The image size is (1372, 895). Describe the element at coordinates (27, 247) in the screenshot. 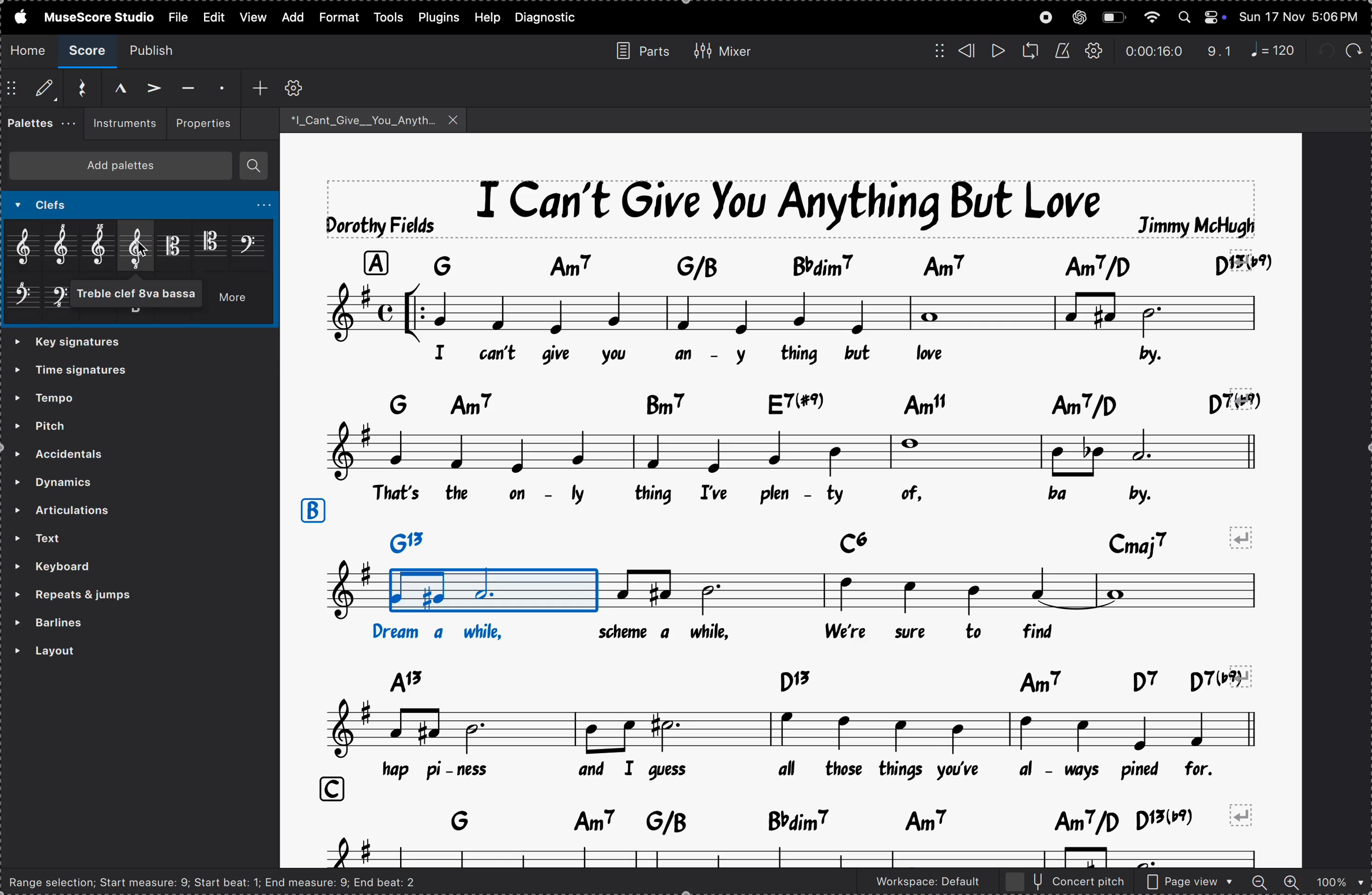

I see `treble clef ` at that location.